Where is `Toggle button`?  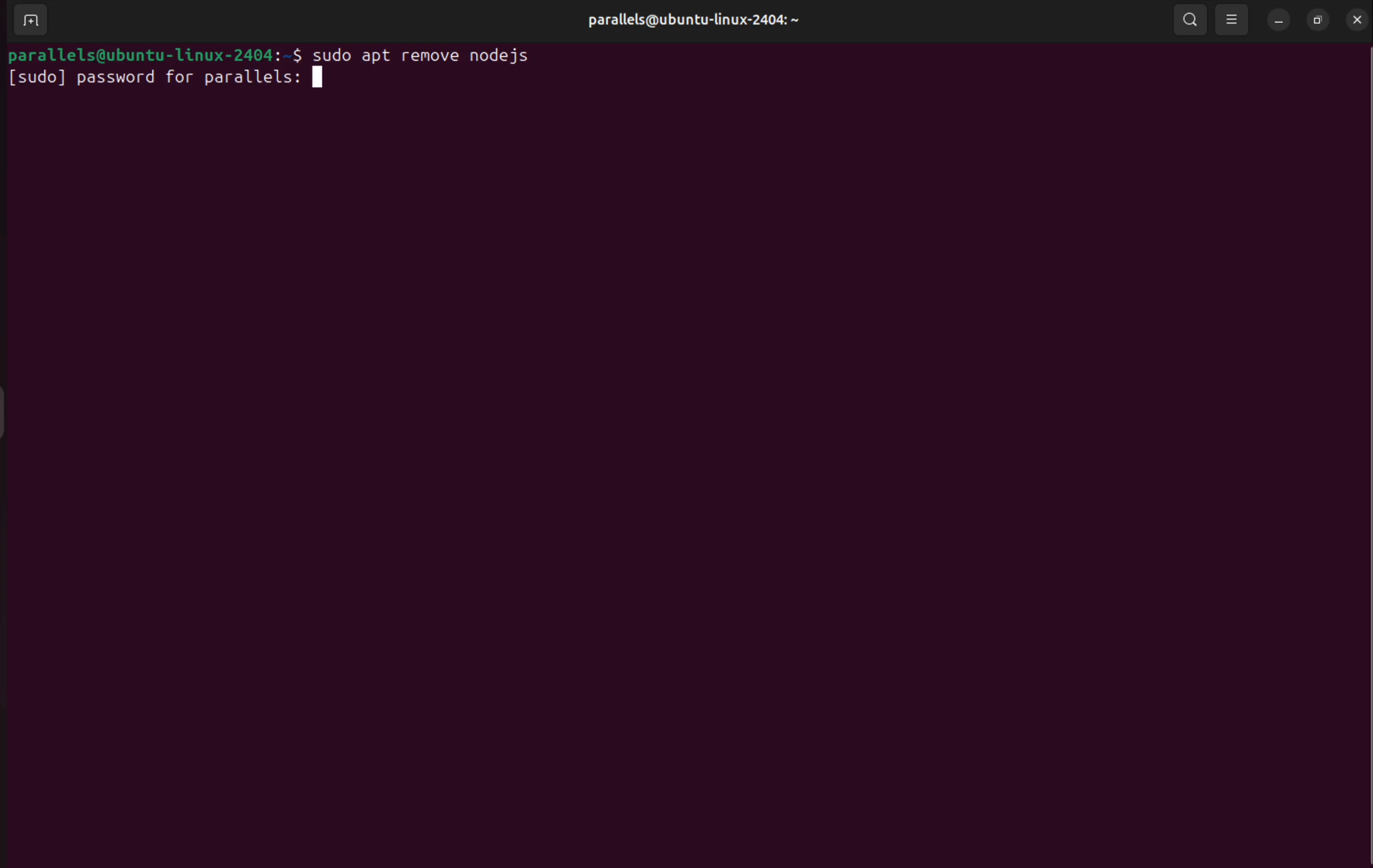 Toggle button is located at coordinates (14, 411).